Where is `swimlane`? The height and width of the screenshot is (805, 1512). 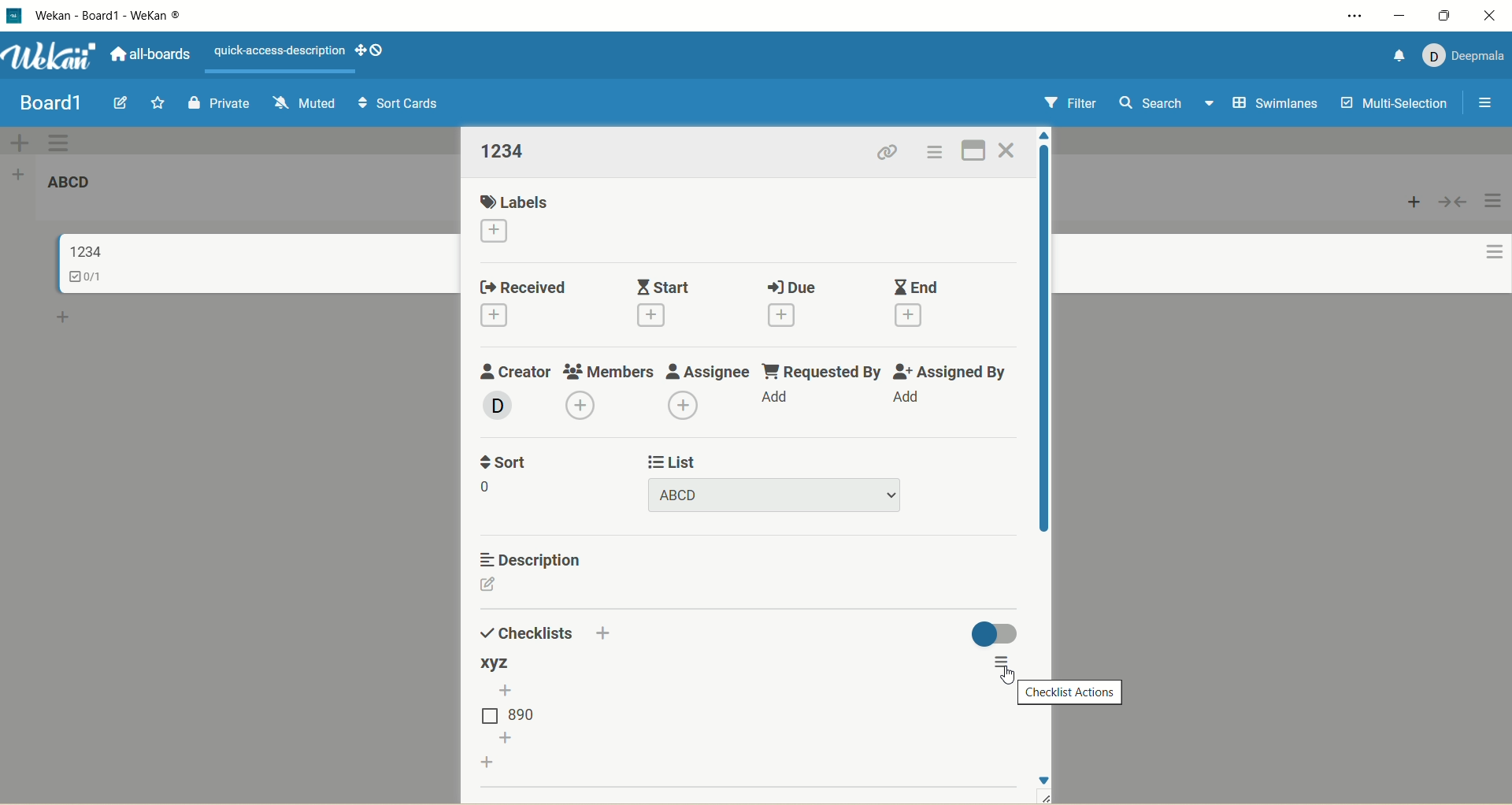
swimlane is located at coordinates (1273, 104).